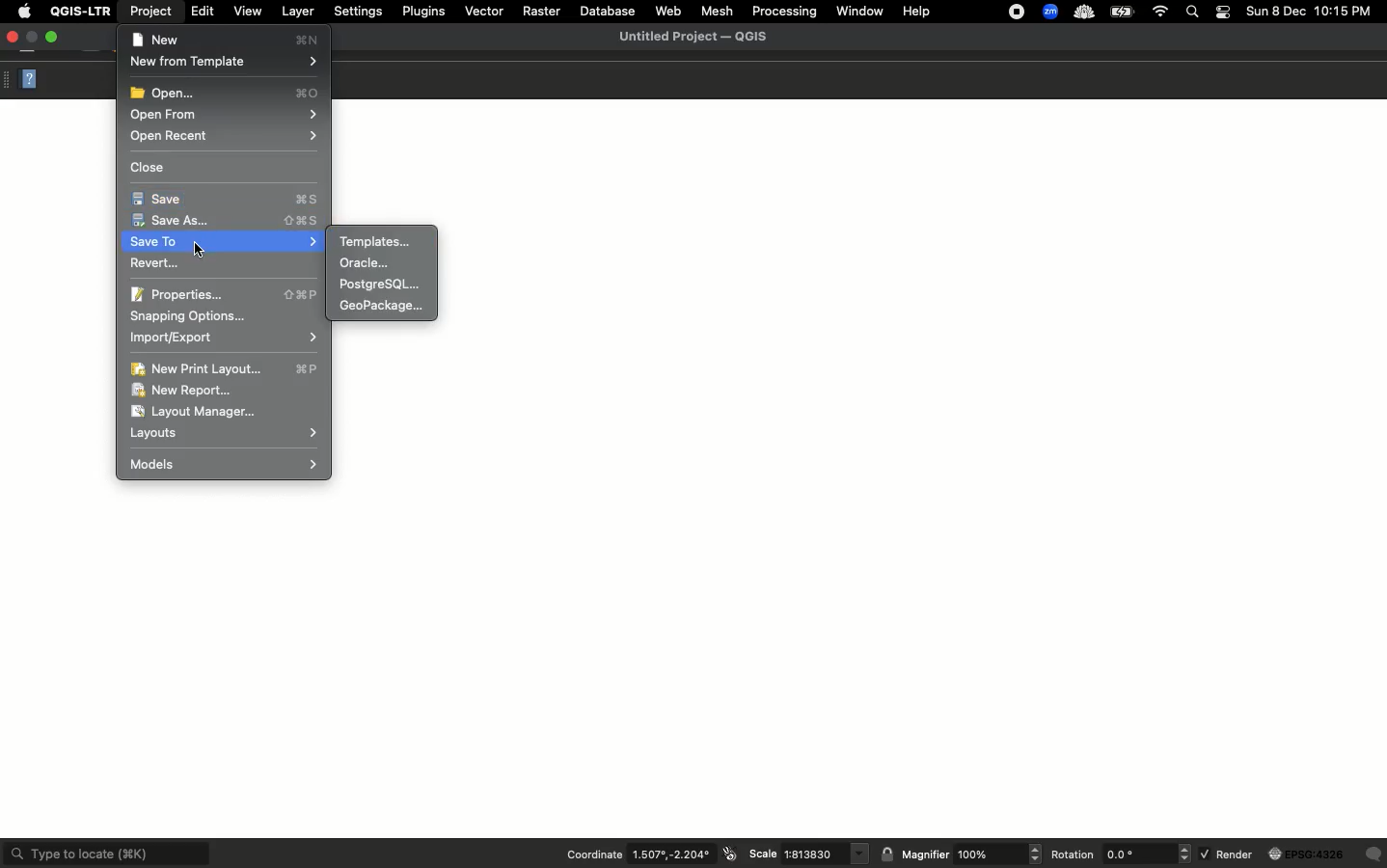 The image size is (1387, 868). I want to click on New from template, so click(226, 65).